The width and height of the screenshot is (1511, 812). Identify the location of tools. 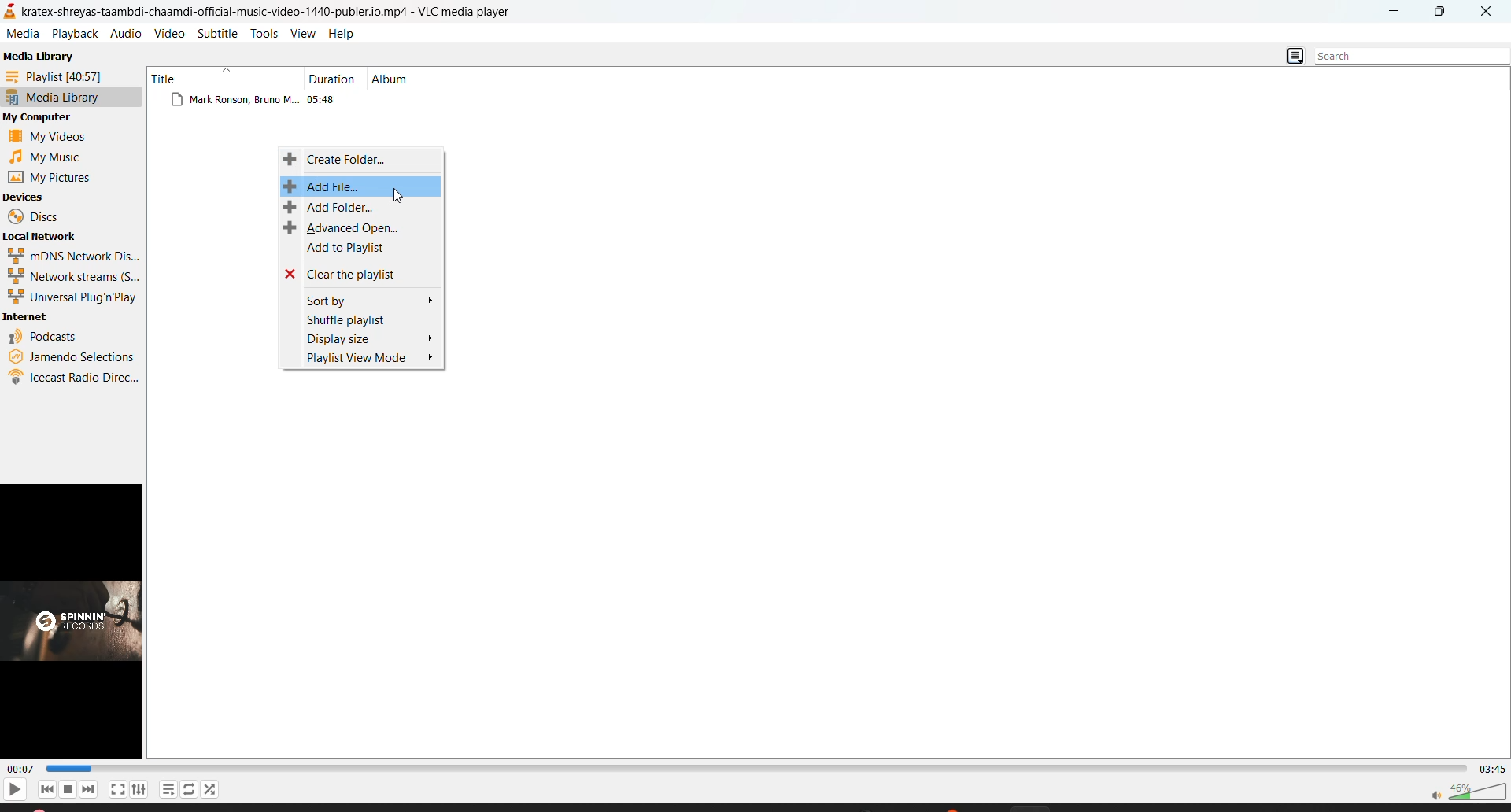
(265, 35).